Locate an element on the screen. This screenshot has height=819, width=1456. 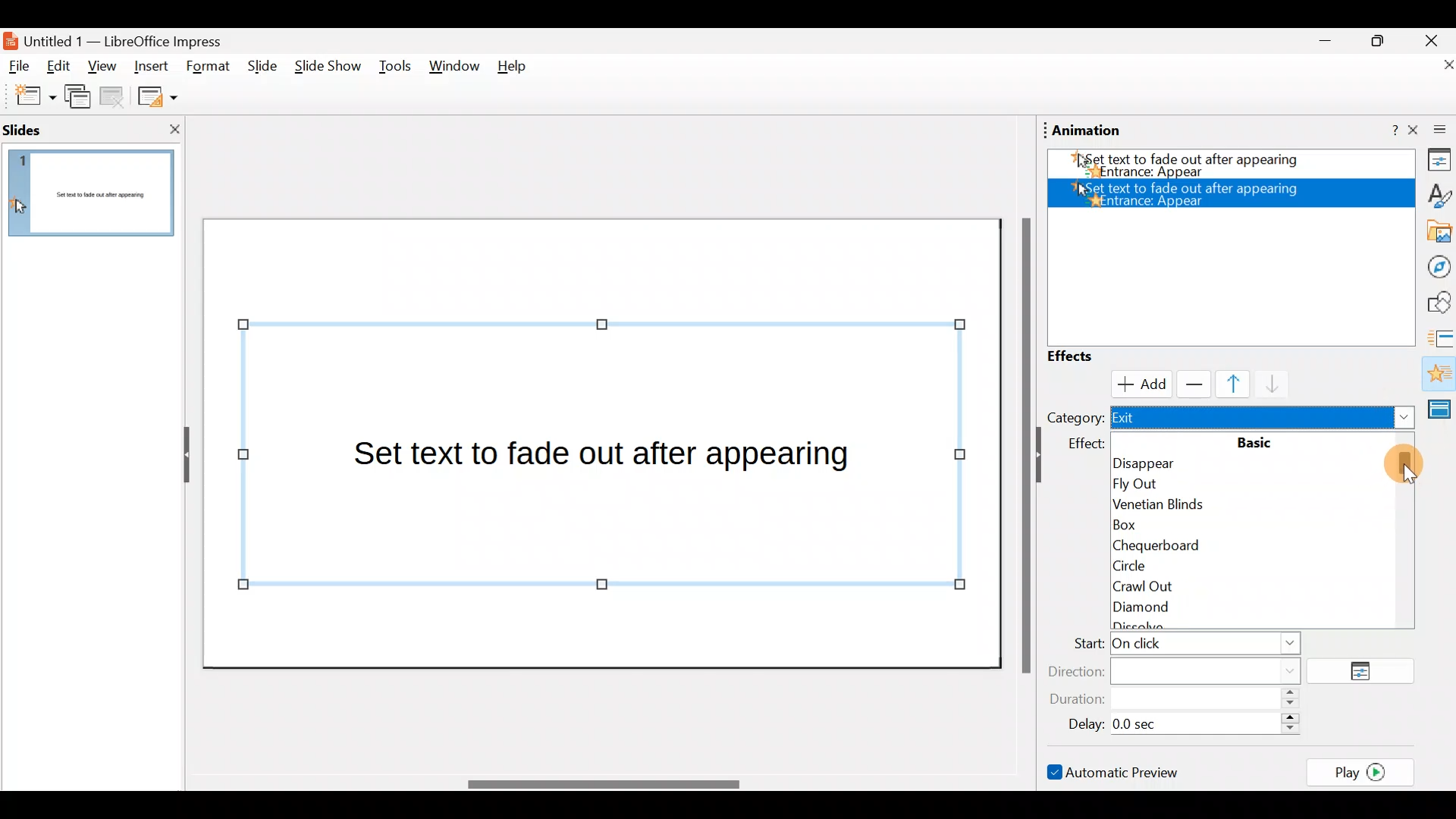
Format is located at coordinates (209, 67).